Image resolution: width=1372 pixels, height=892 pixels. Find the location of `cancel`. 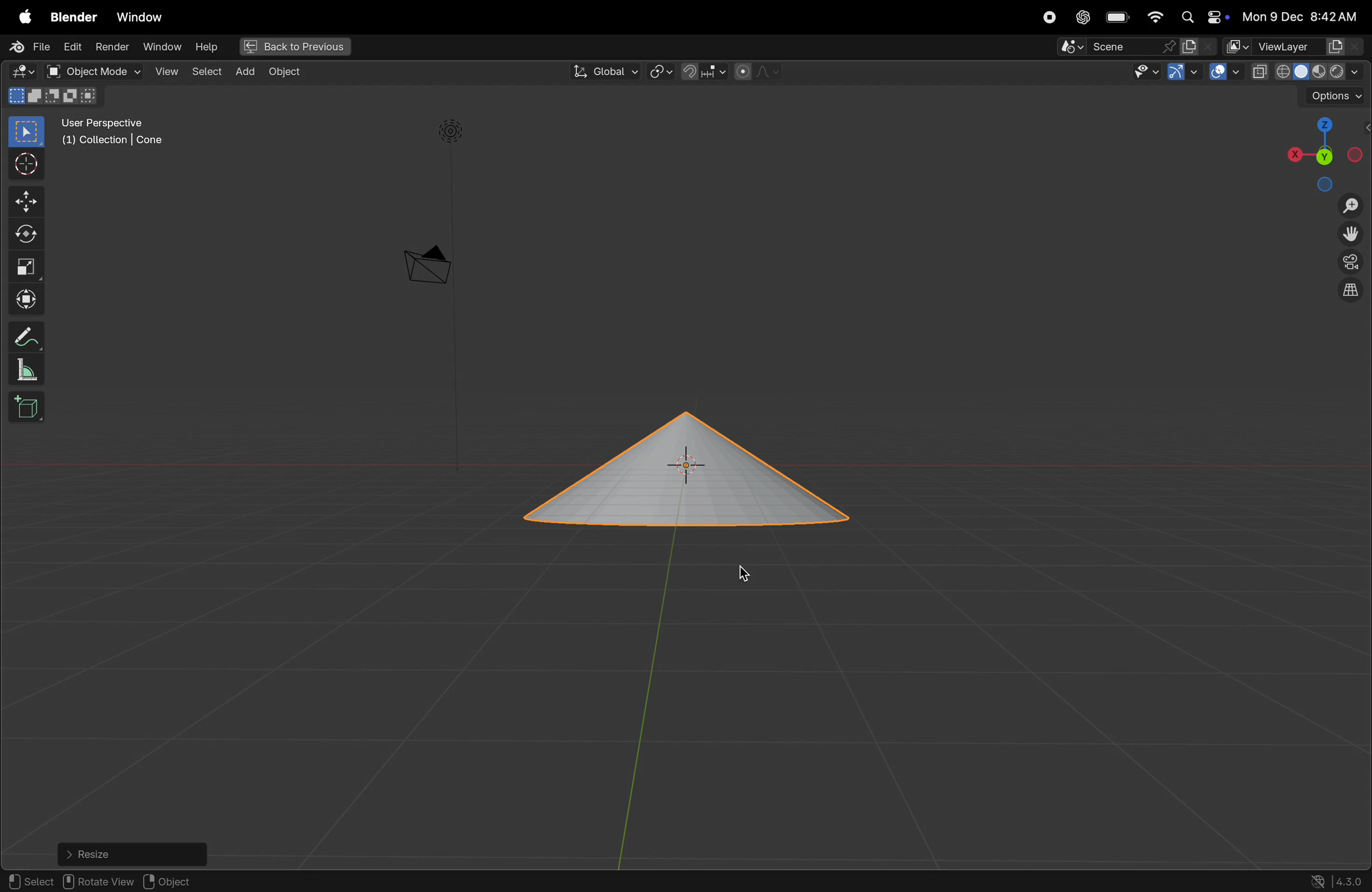

cancel is located at coordinates (95, 880).